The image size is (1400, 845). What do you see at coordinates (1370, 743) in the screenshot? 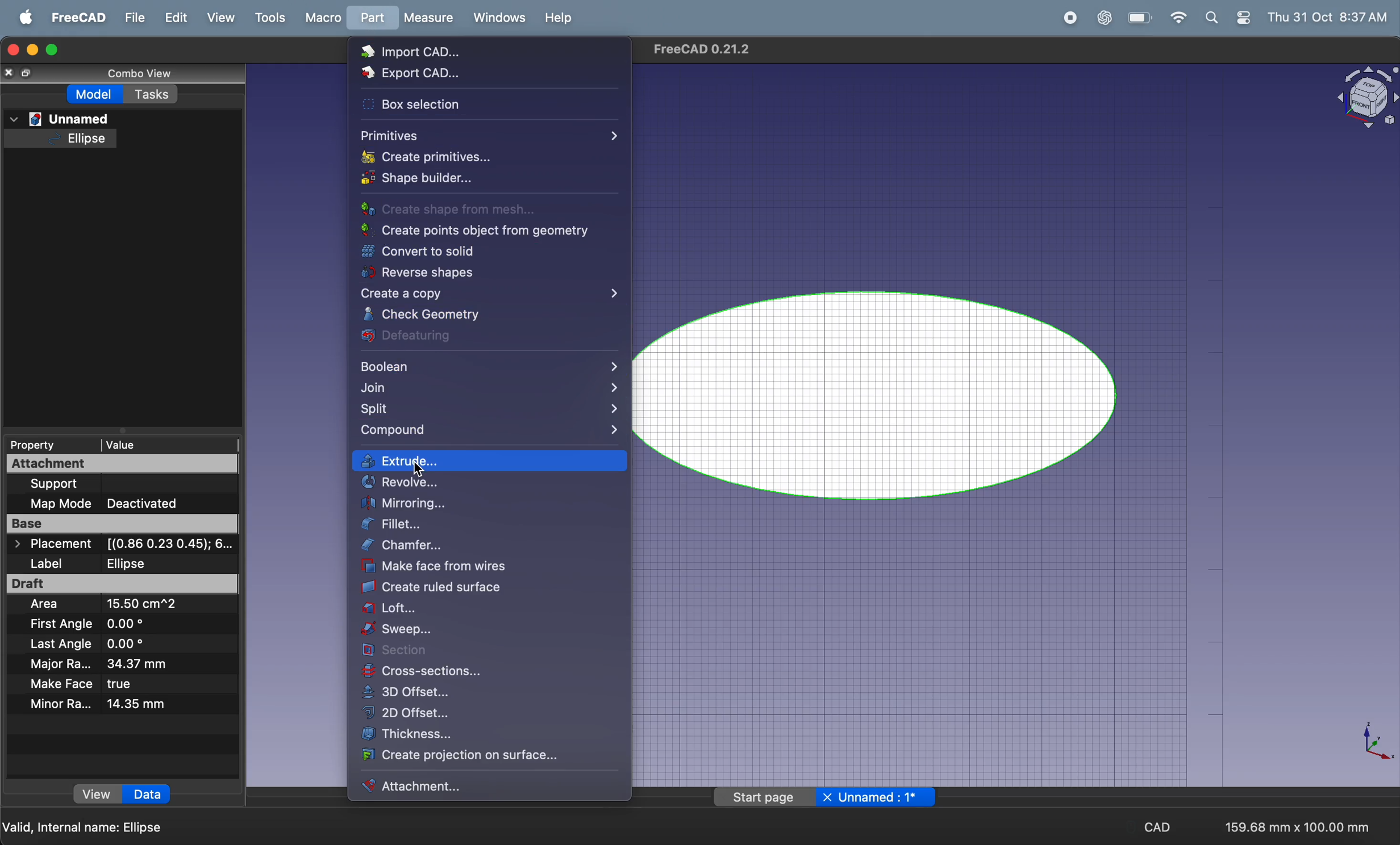
I see `axis` at bounding box center [1370, 743].